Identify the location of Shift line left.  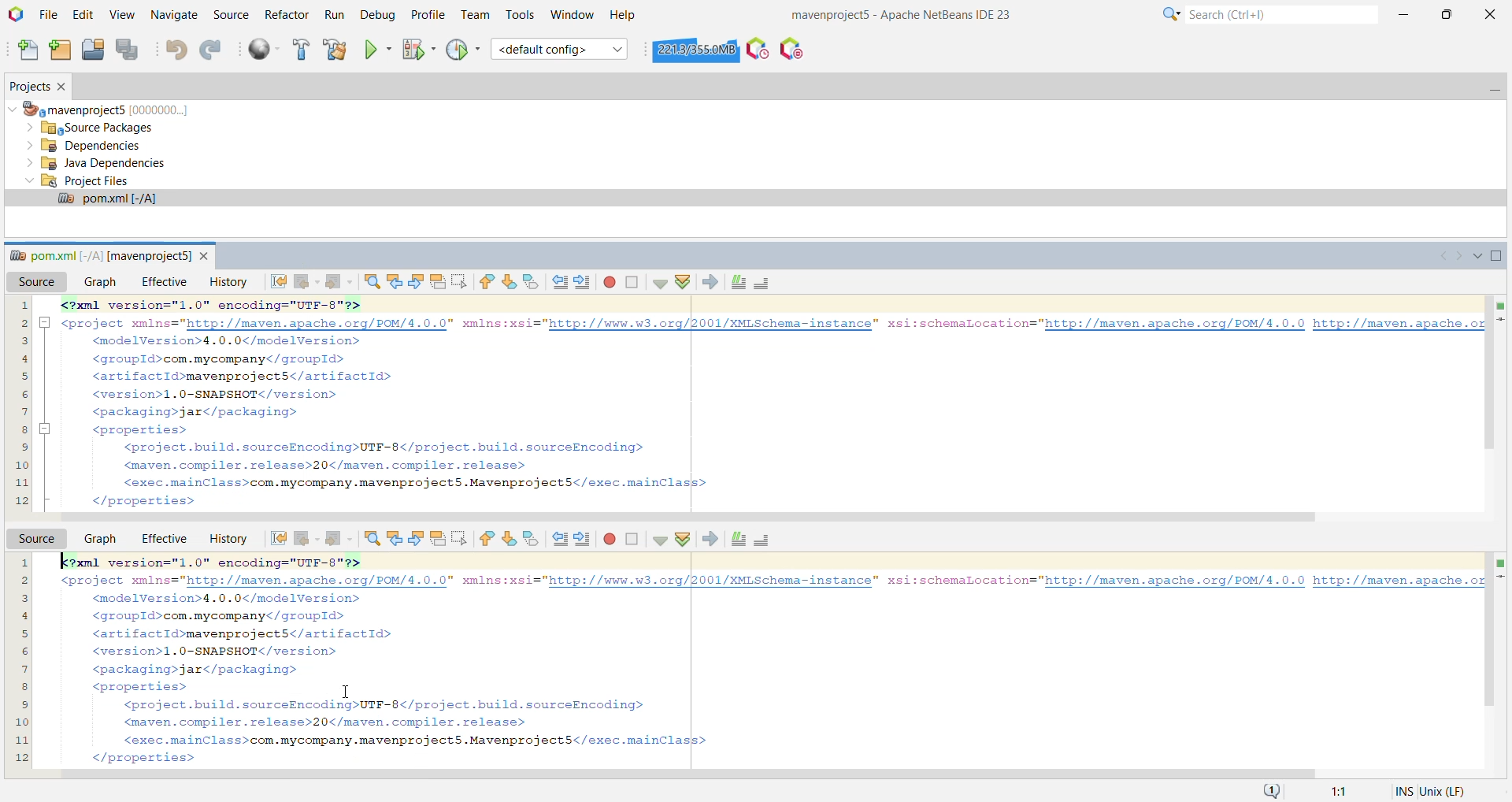
(558, 282).